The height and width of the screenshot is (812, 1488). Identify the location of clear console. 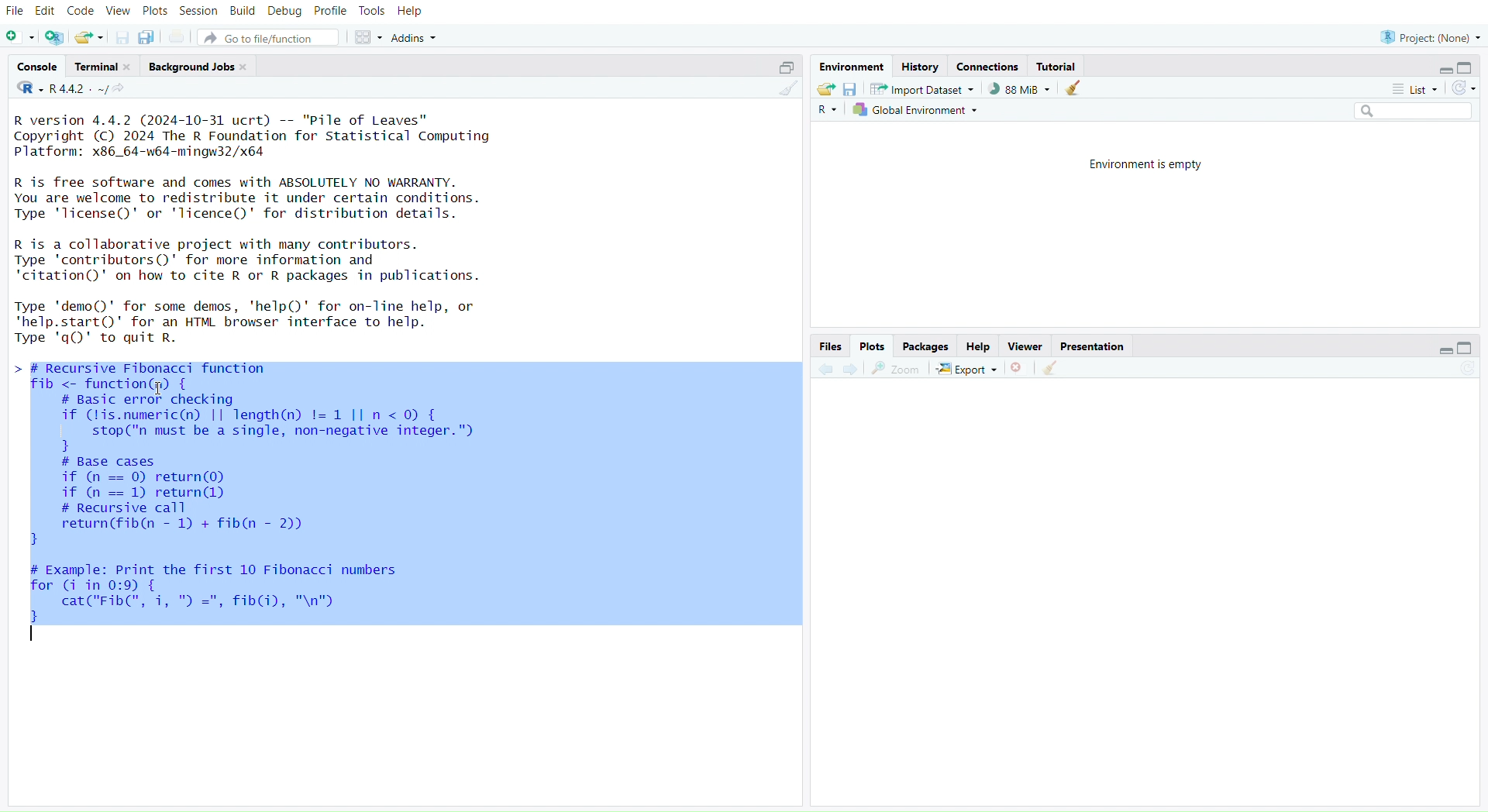
(787, 89).